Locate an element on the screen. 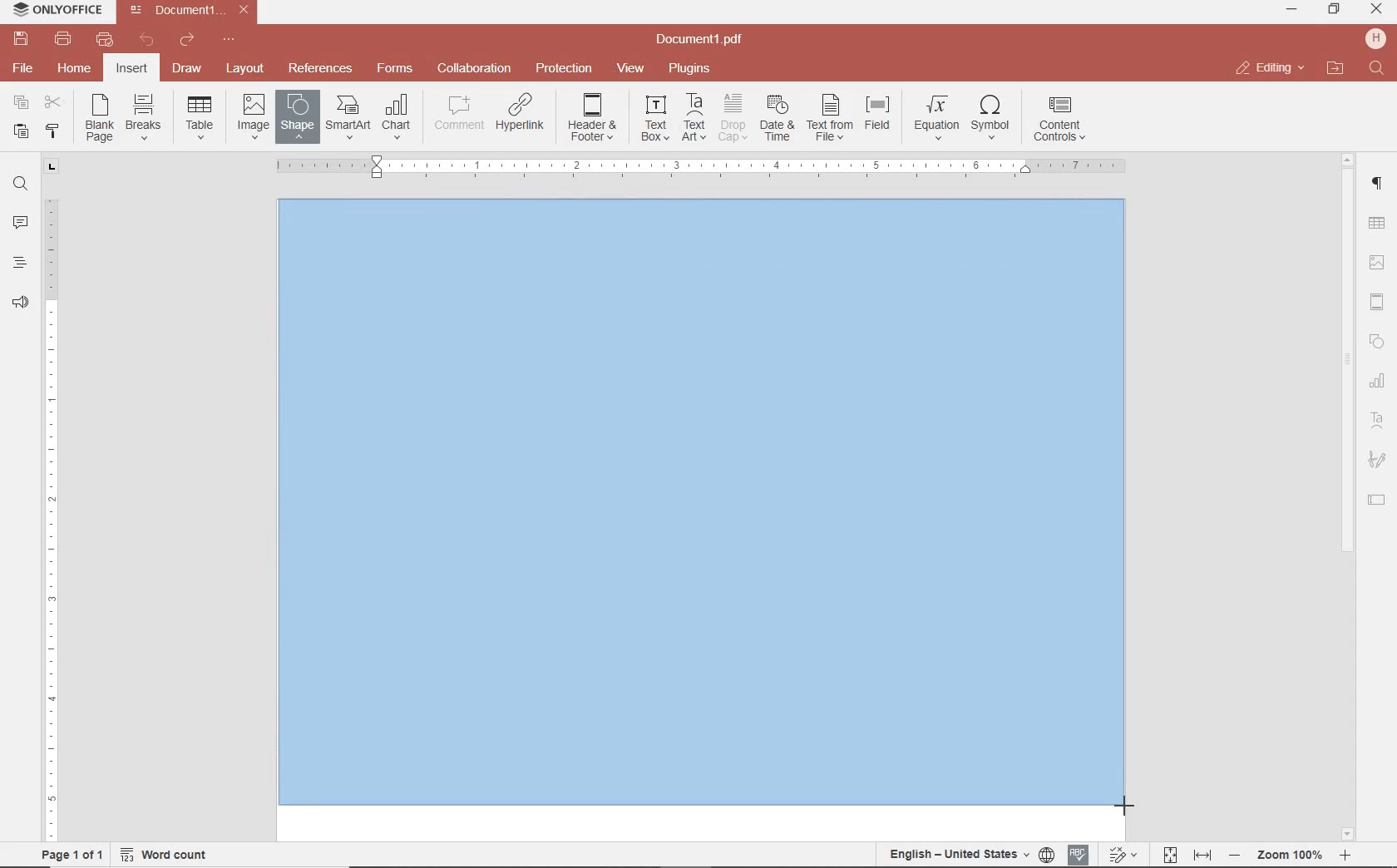 This screenshot has height=868, width=1397. find is located at coordinates (1379, 69).